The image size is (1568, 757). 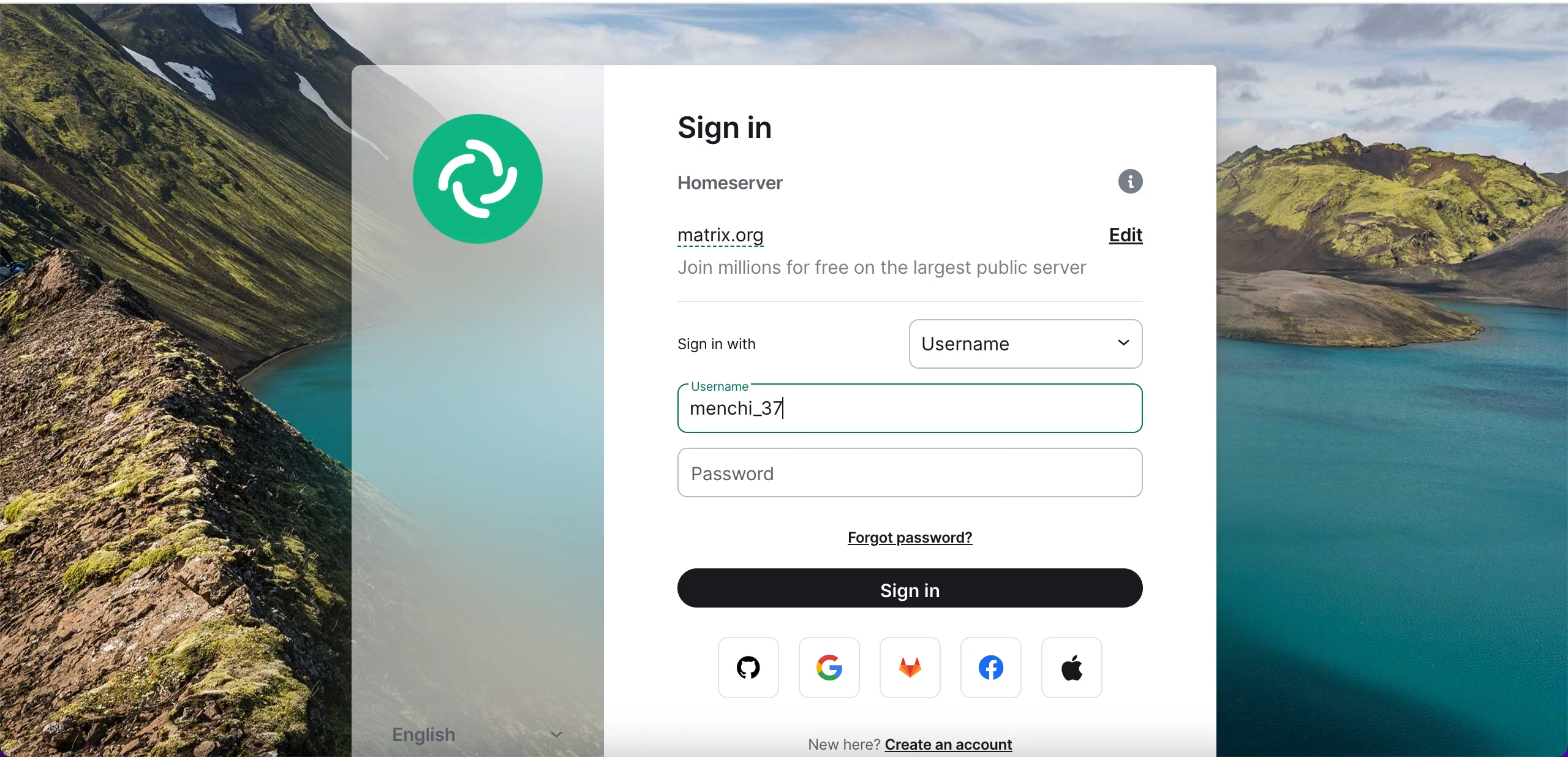 I want to click on join millions for free on the largest public server, so click(x=899, y=272).